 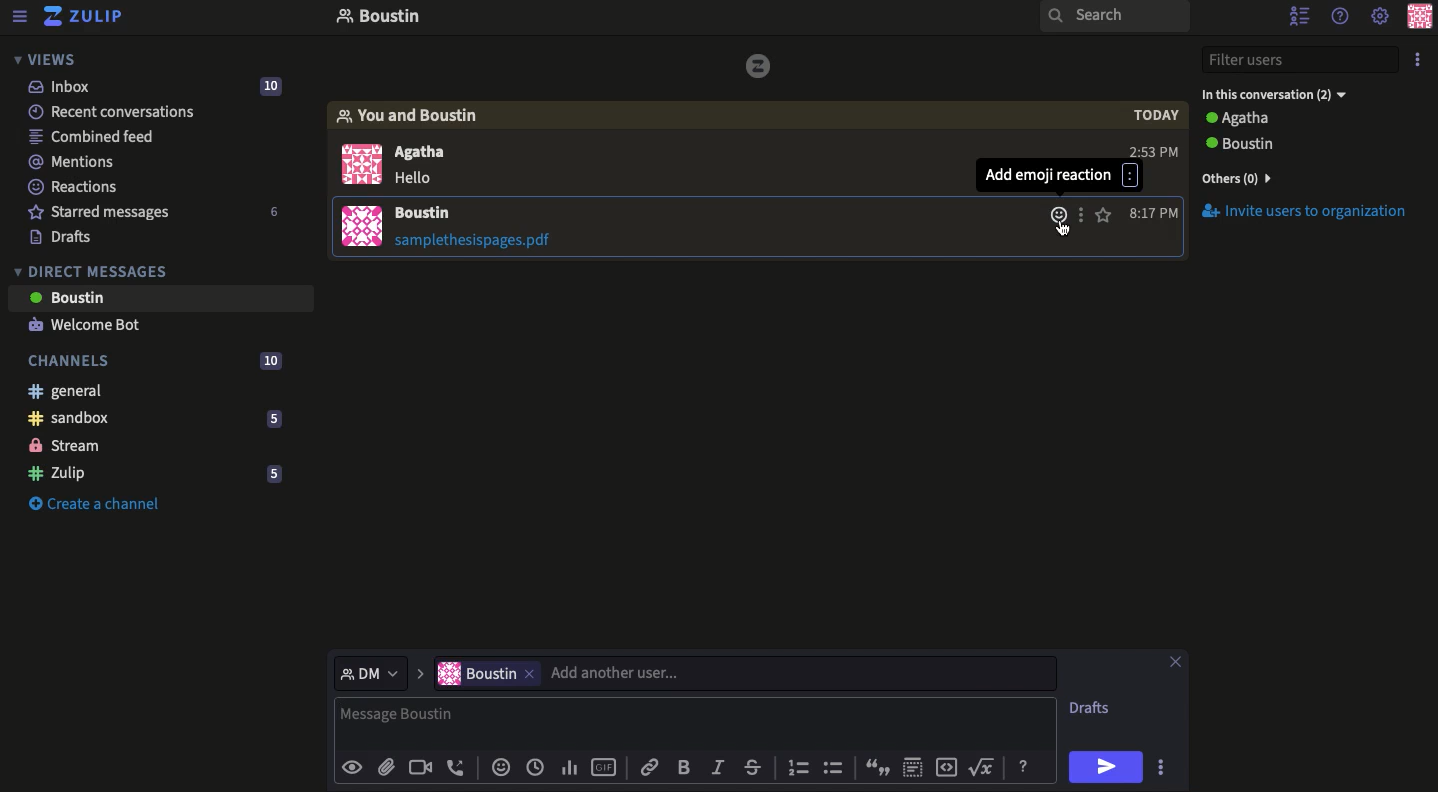 What do you see at coordinates (877, 767) in the screenshot?
I see `Quote` at bounding box center [877, 767].